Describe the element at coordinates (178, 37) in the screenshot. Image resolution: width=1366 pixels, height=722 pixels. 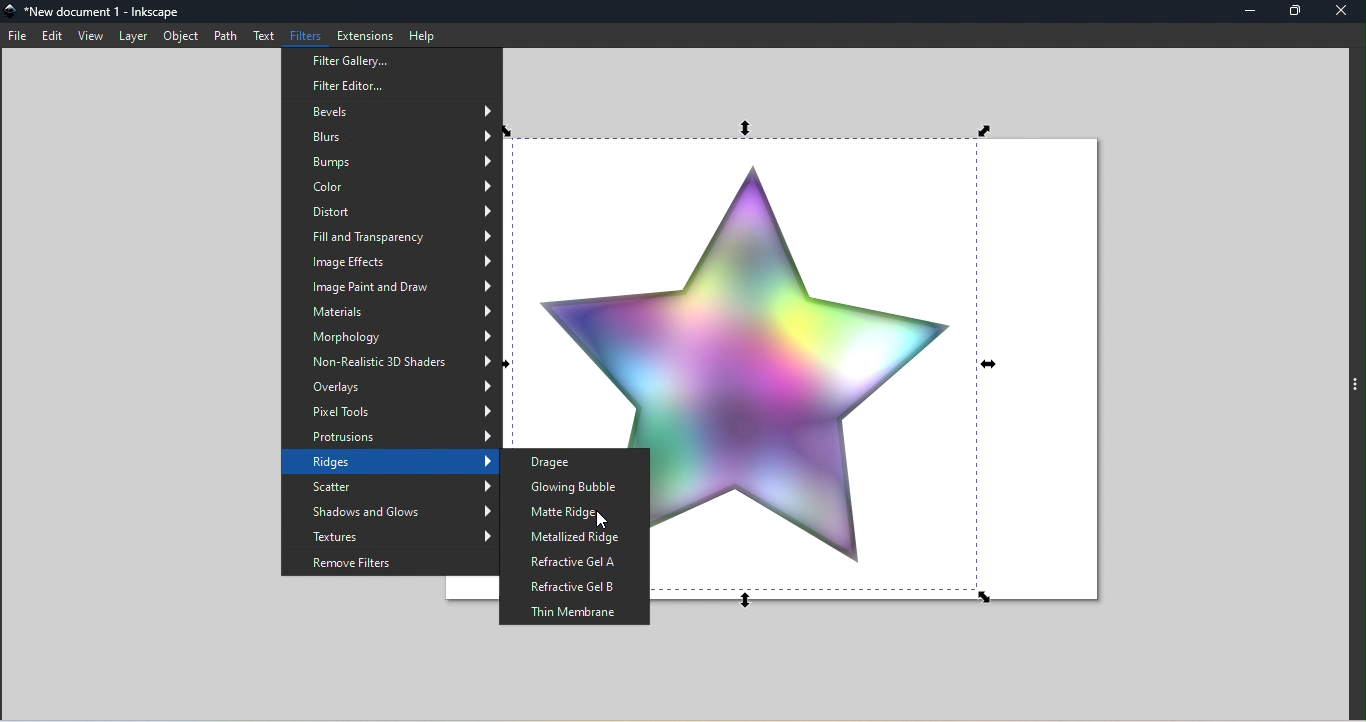
I see `Object` at that location.